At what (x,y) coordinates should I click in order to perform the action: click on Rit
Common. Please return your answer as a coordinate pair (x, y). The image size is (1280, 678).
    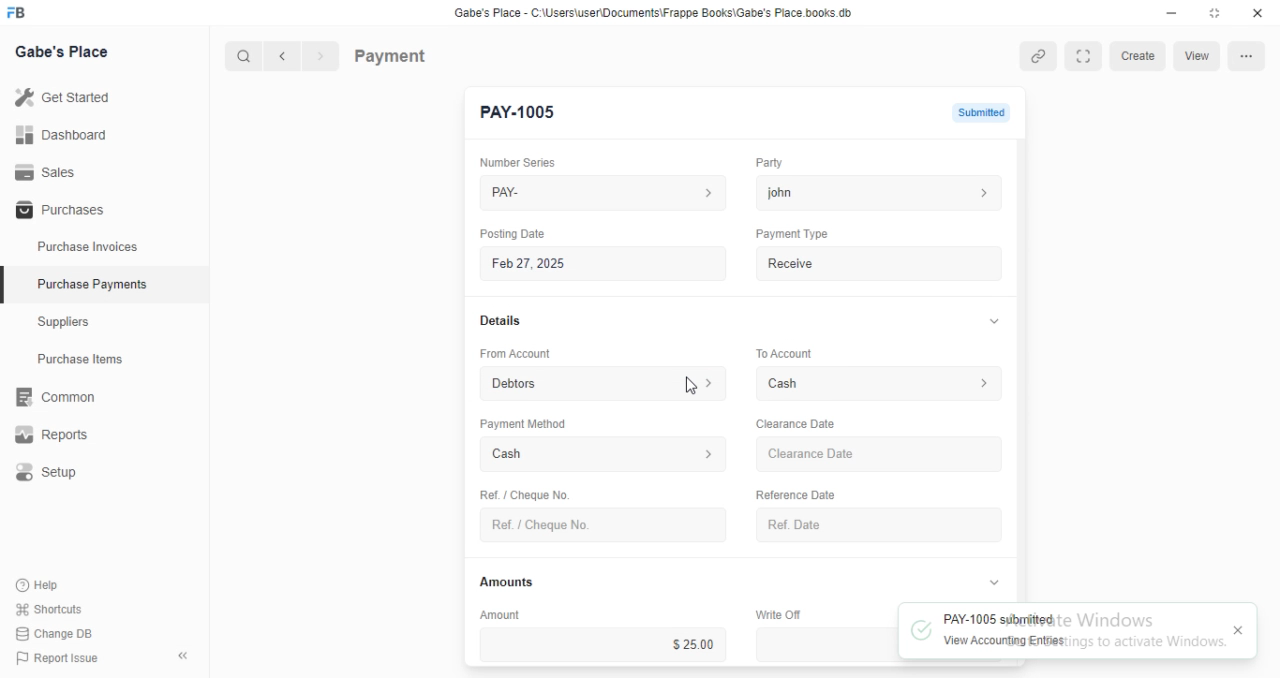
    Looking at the image, I should click on (55, 398).